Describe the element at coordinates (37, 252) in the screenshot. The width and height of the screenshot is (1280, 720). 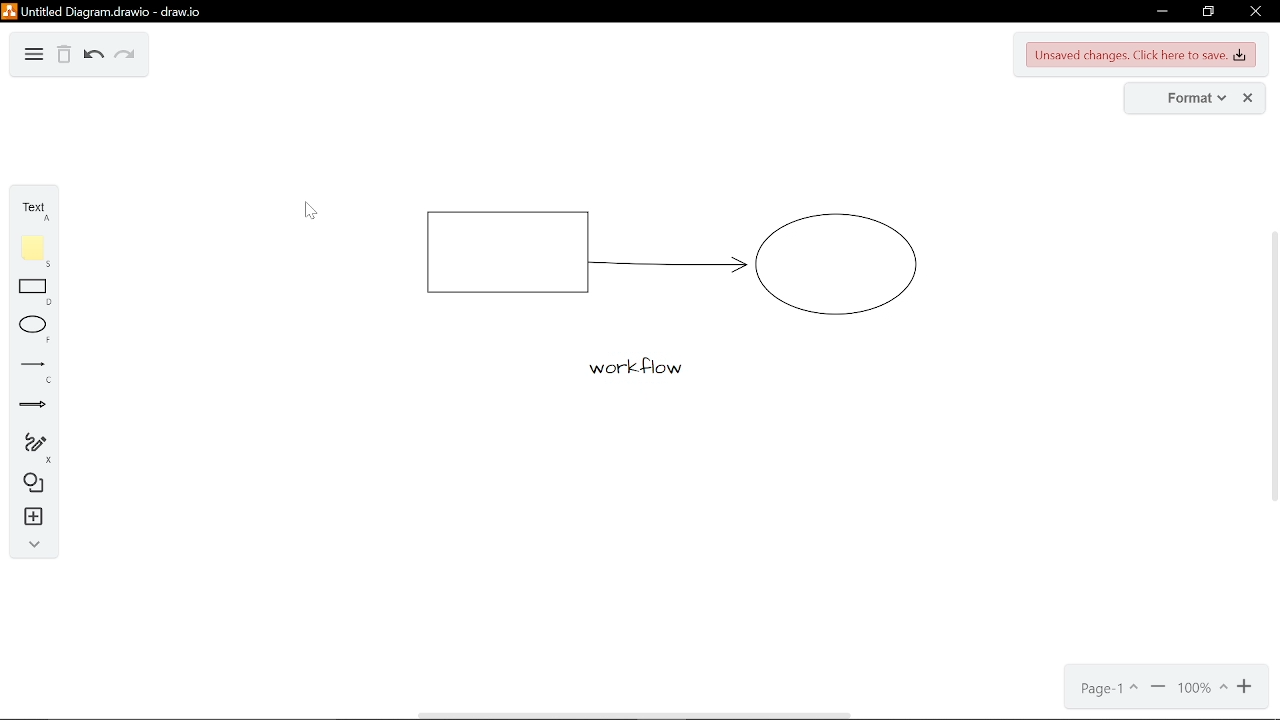
I see `note` at that location.